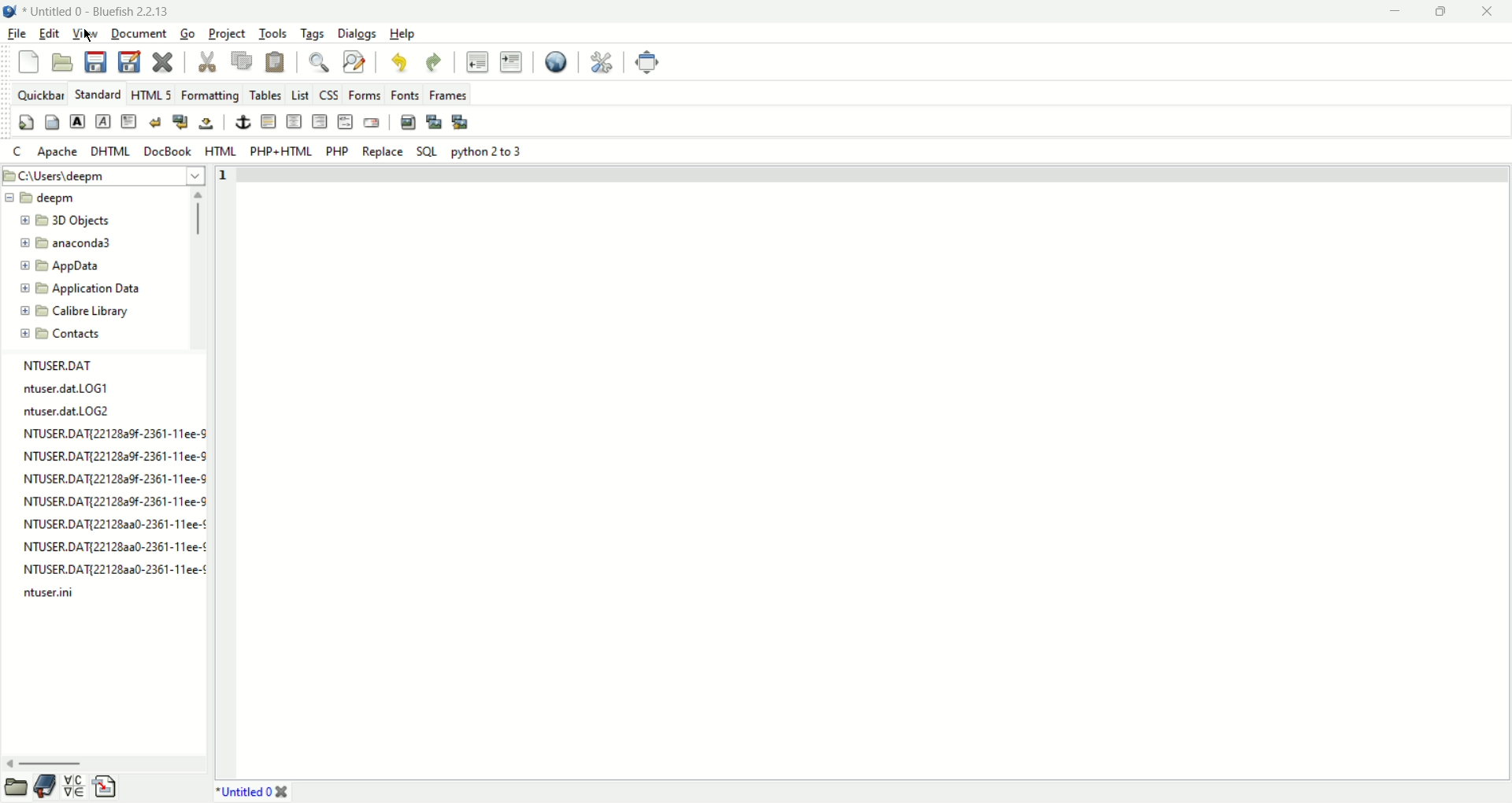 The image size is (1512, 803). Describe the element at coordinates (317, 122) in the screenshot. I see `right justify` at that location.